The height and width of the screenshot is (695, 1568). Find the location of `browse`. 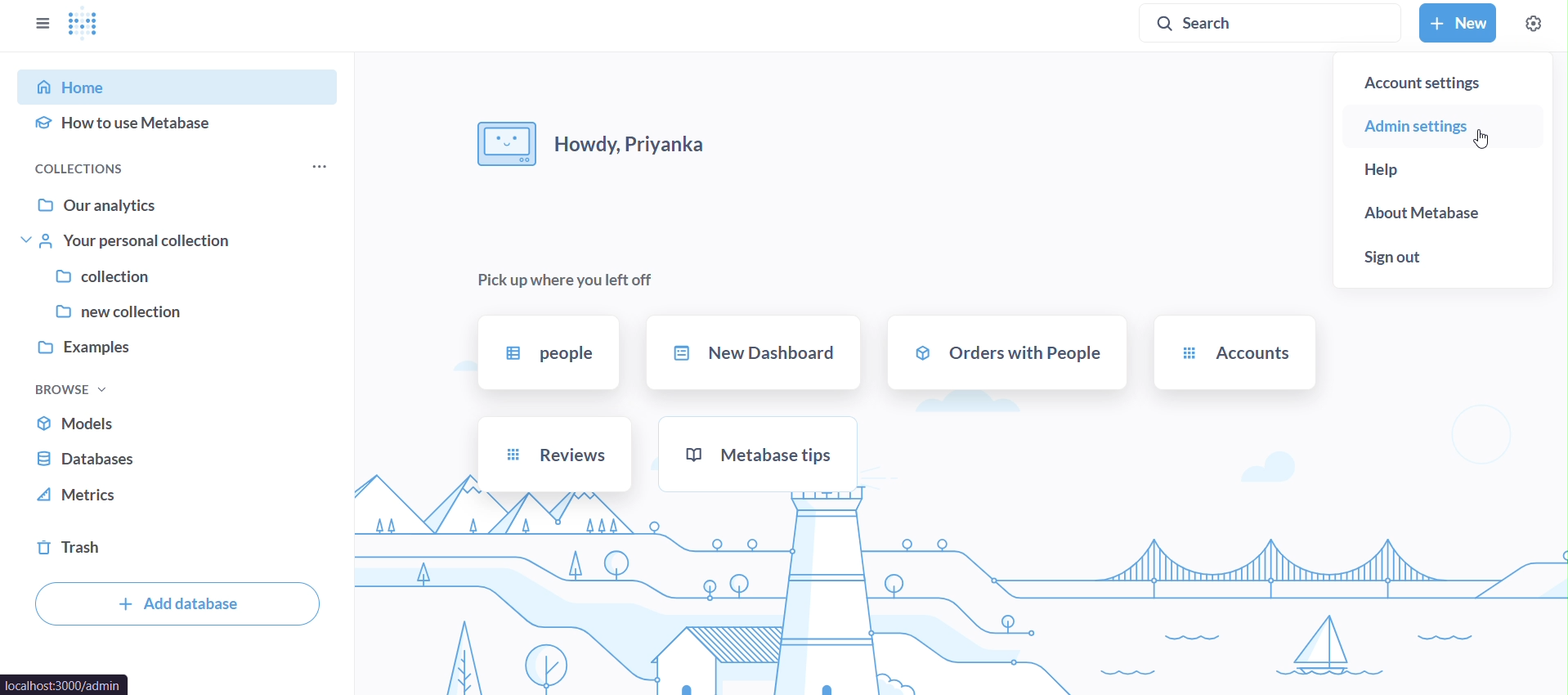

browse is located at coordinates (67, 390).